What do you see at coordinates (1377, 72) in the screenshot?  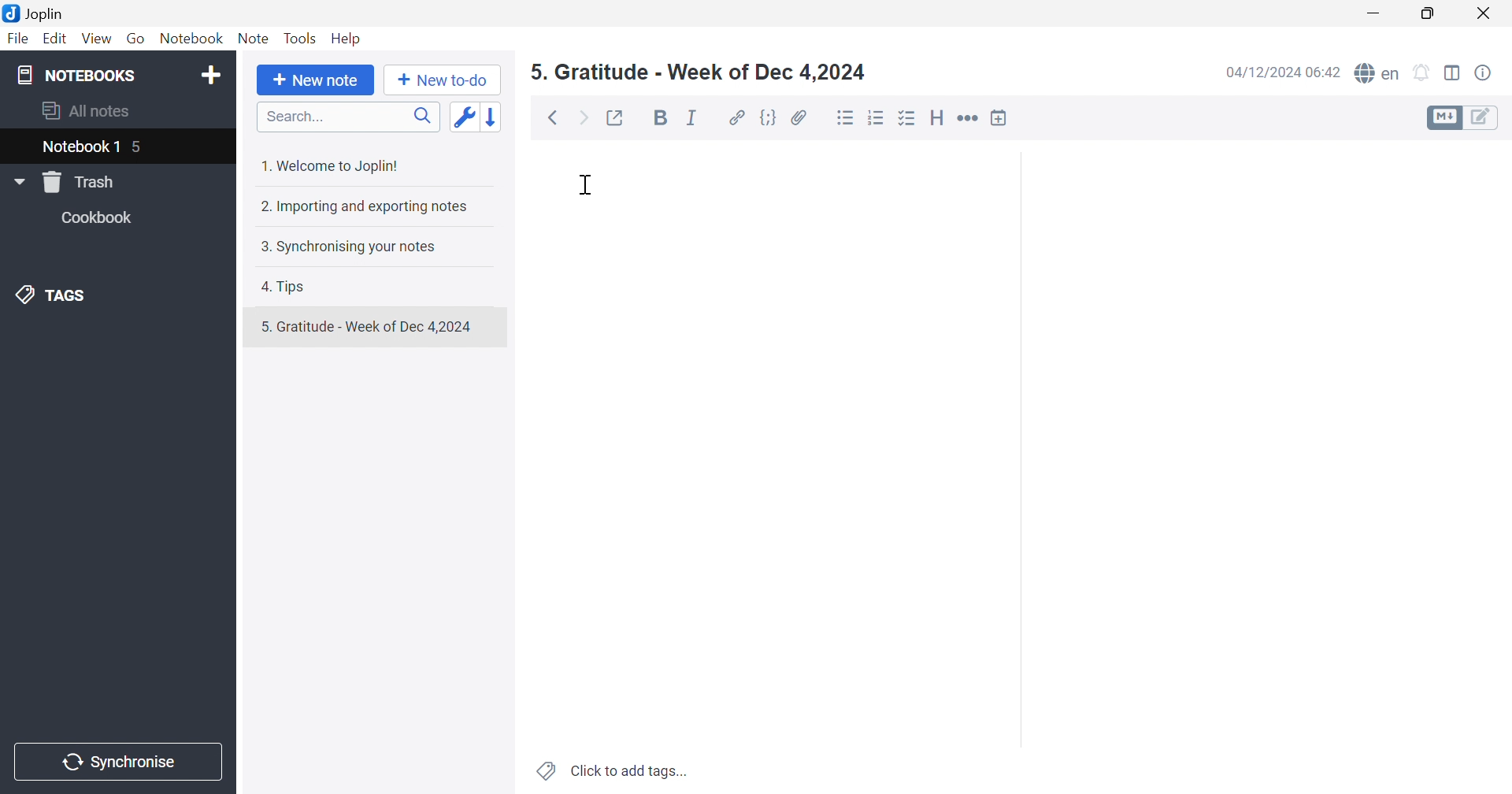 I see `Spell checker` at bounding box center [1377, 72].